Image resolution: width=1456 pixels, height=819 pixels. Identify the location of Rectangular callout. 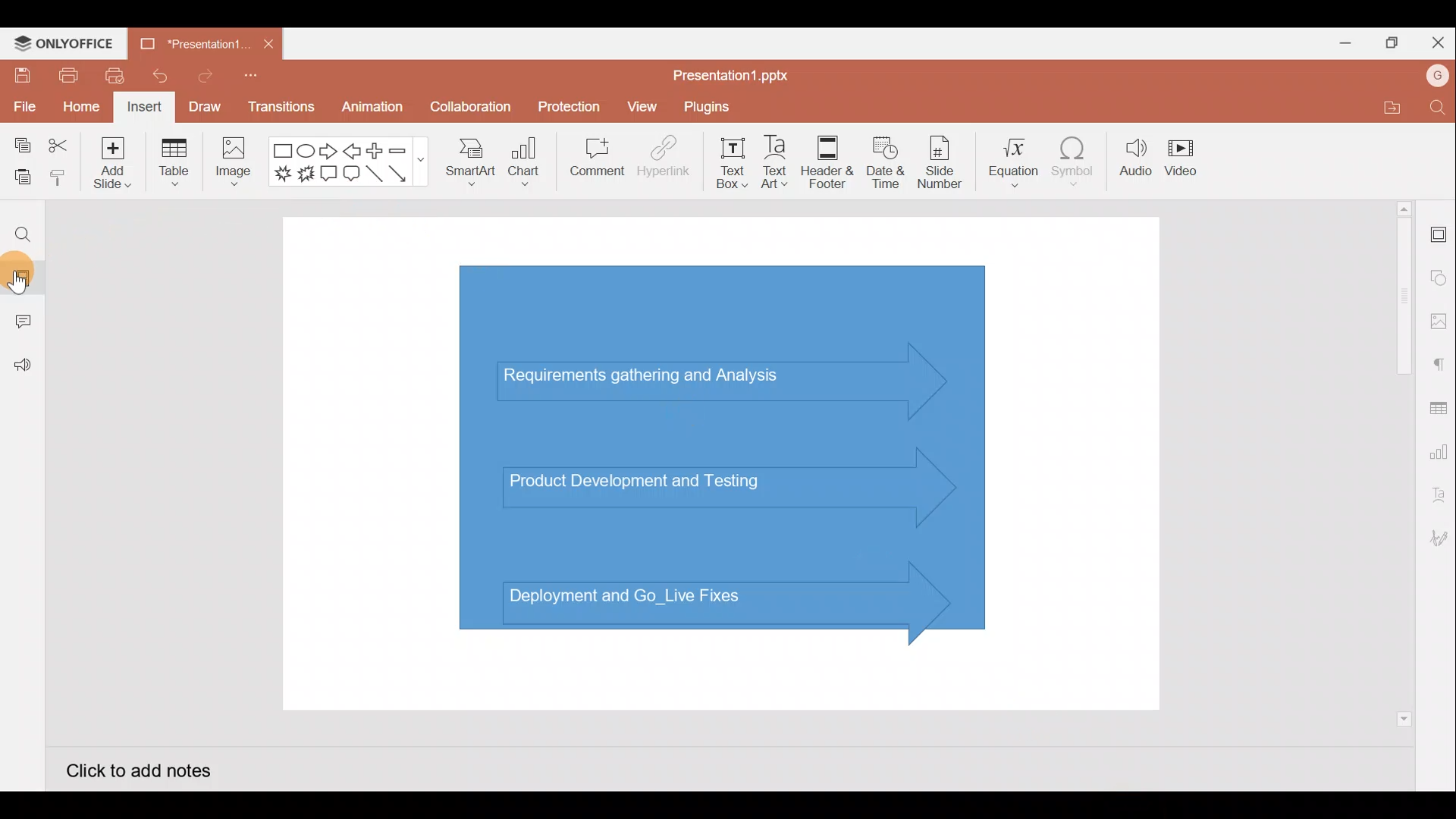
(328, 173).